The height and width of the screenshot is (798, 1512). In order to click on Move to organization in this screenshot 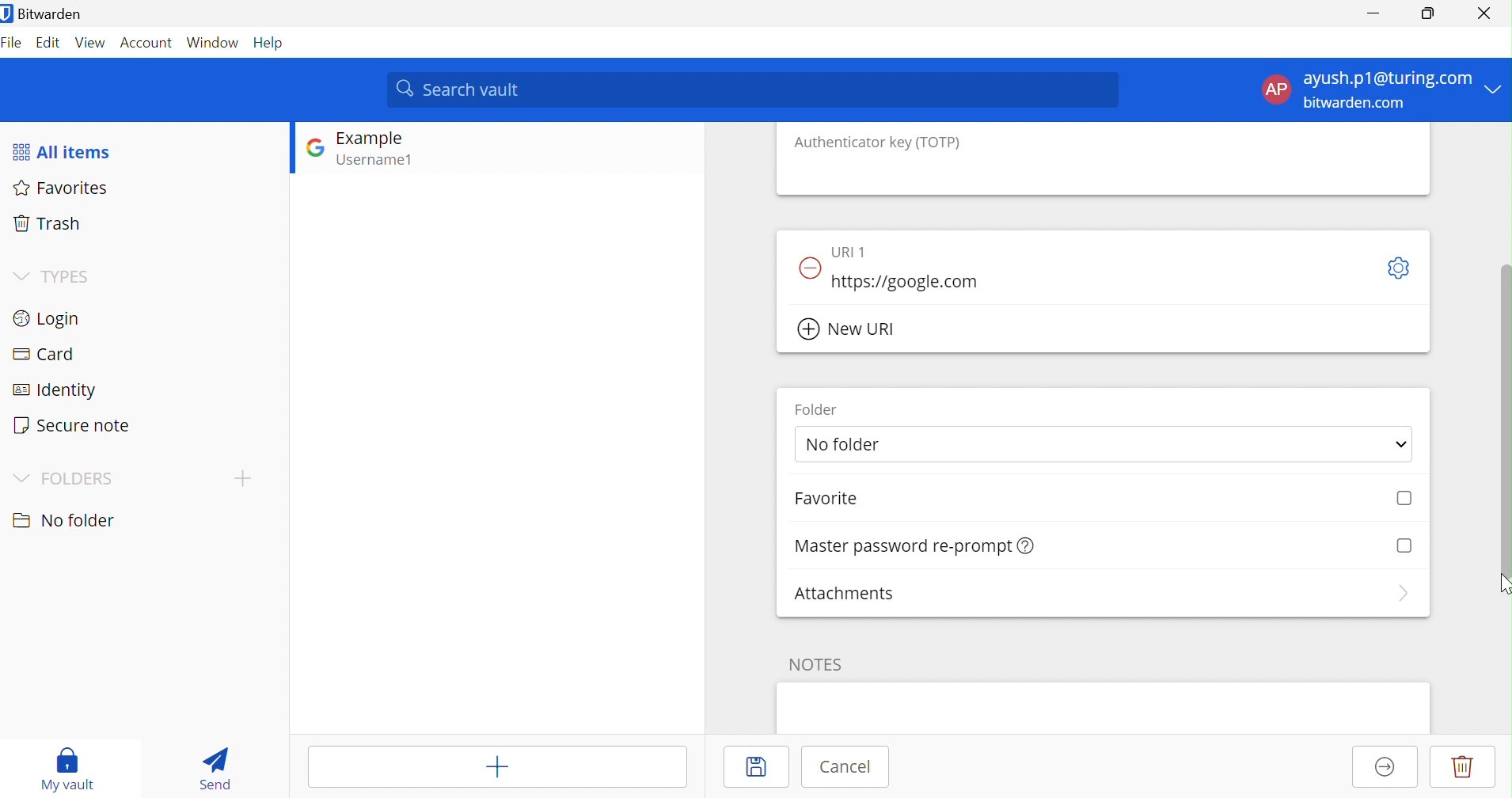, I will do `click(1384, 768)`.